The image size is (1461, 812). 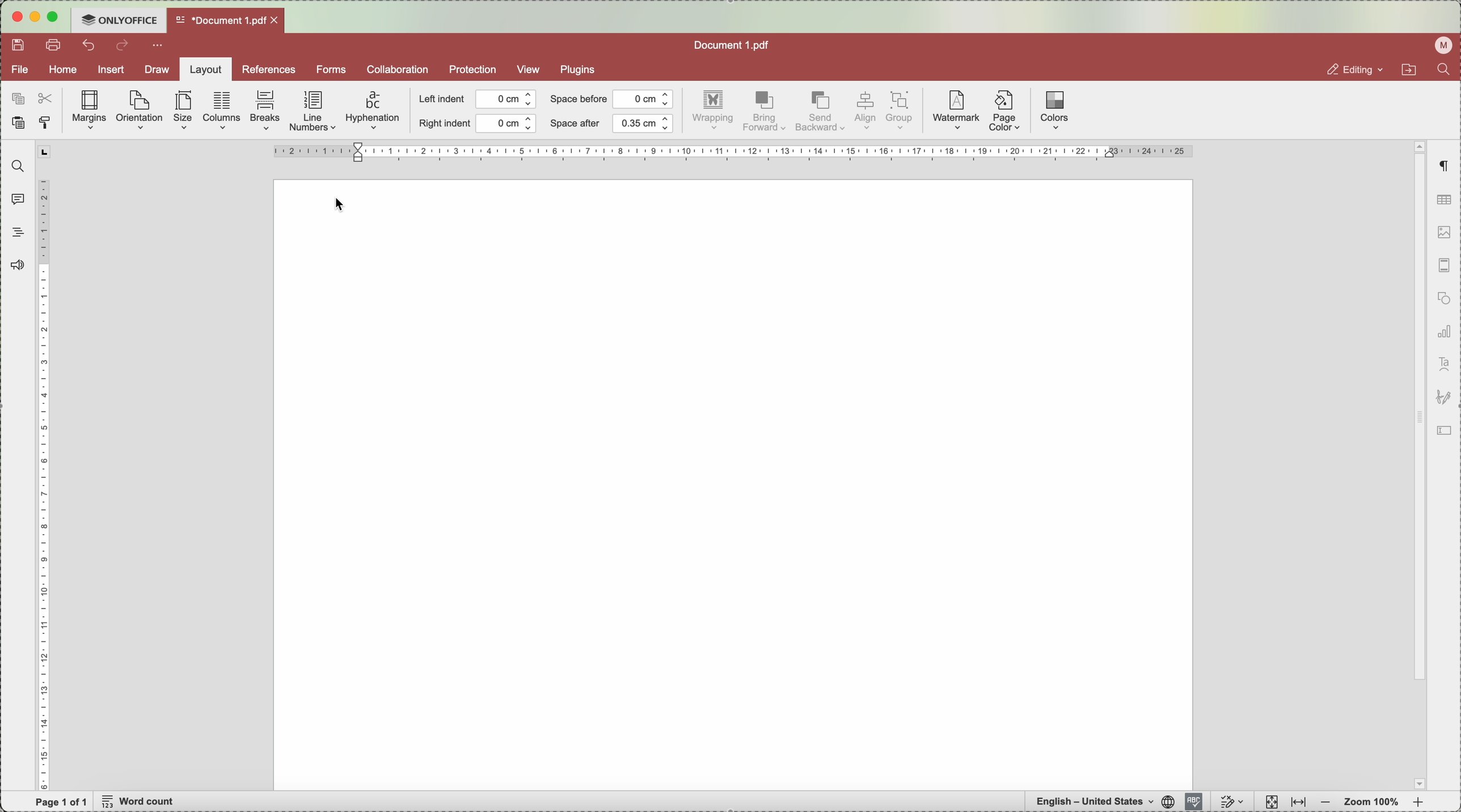 I want to click on maximize, so click(x=57, y=16).